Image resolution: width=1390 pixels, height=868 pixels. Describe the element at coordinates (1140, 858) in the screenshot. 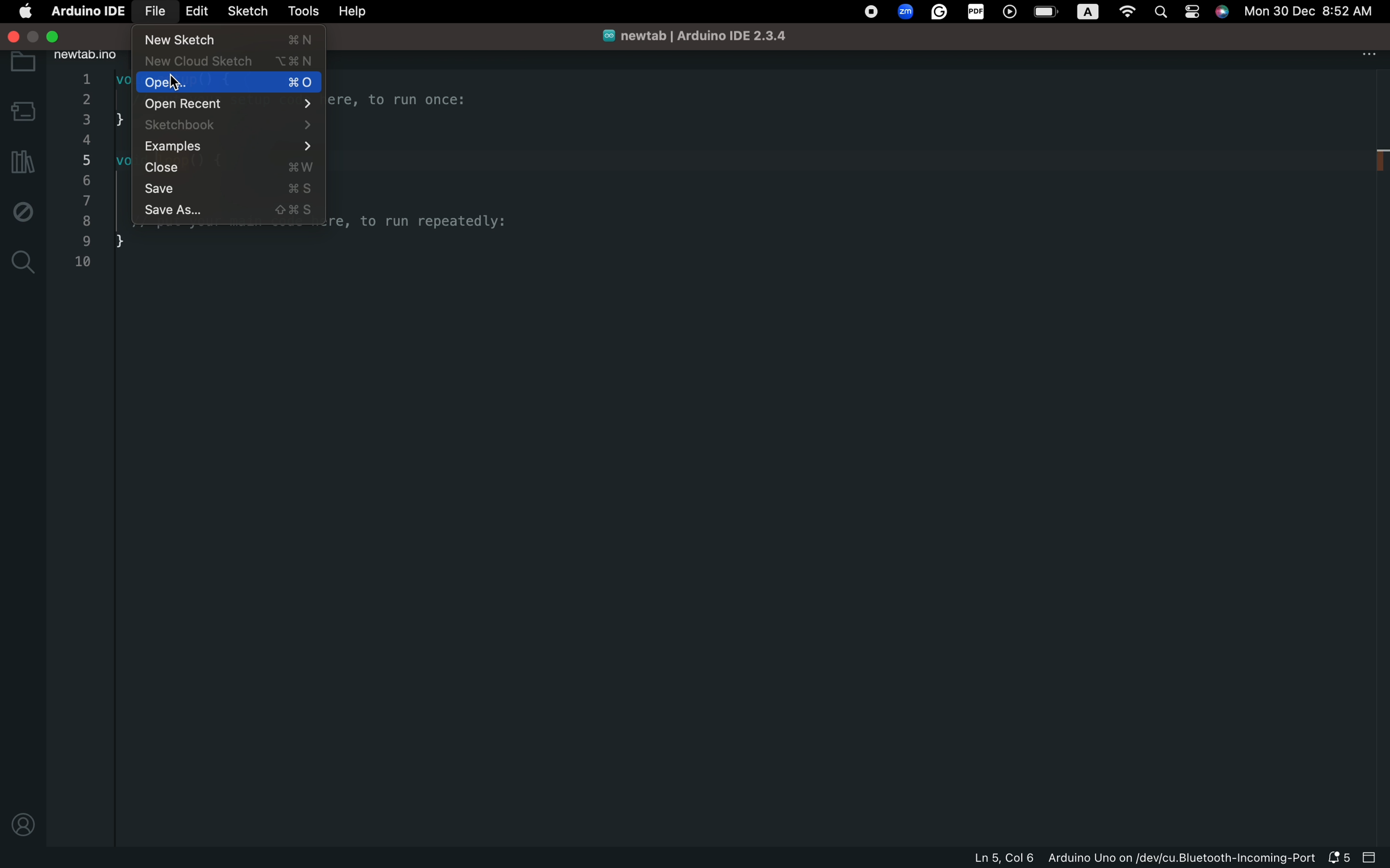

I see `file information` at that location.